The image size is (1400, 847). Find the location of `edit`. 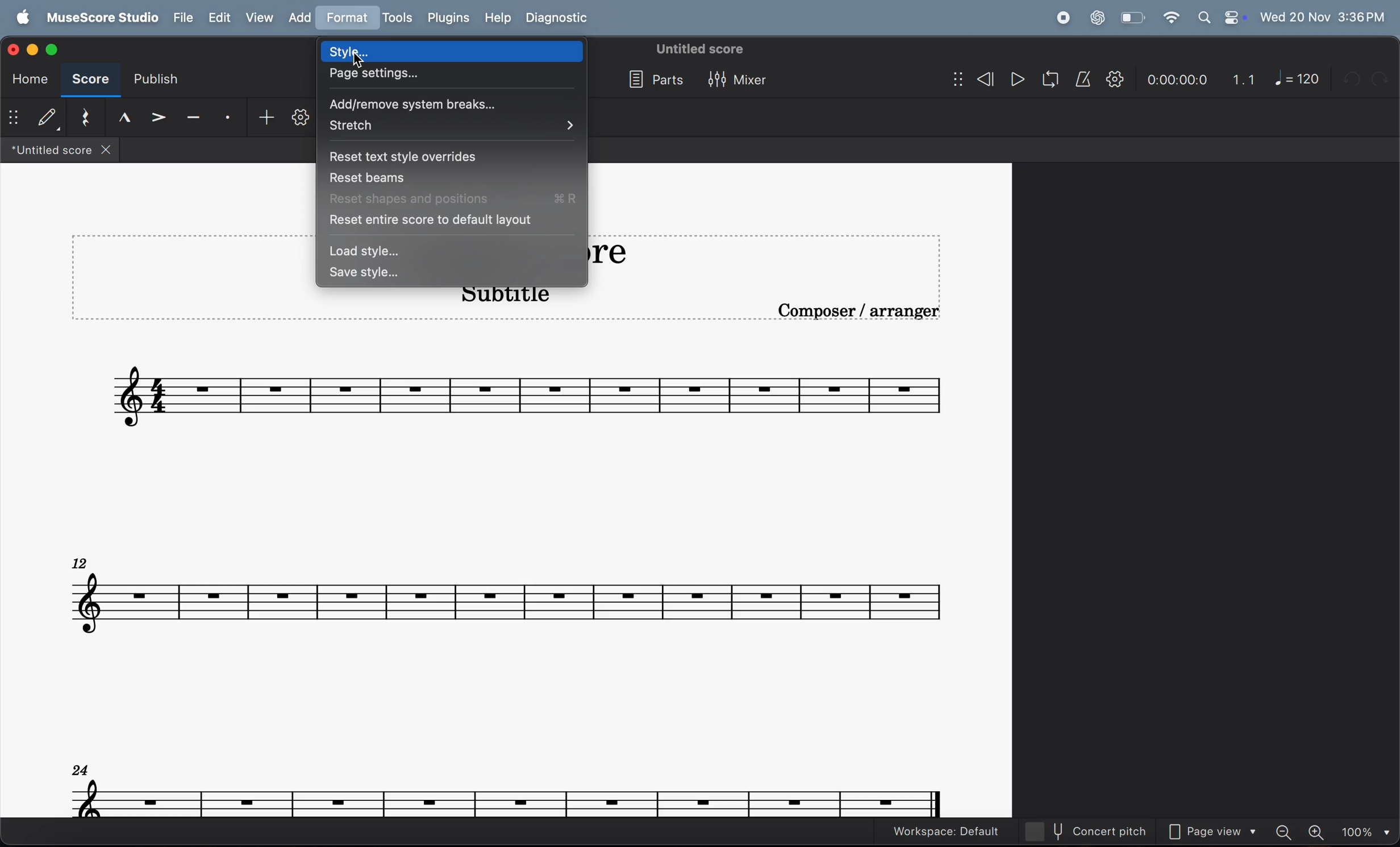

edit is located at coordinates (218, 18).